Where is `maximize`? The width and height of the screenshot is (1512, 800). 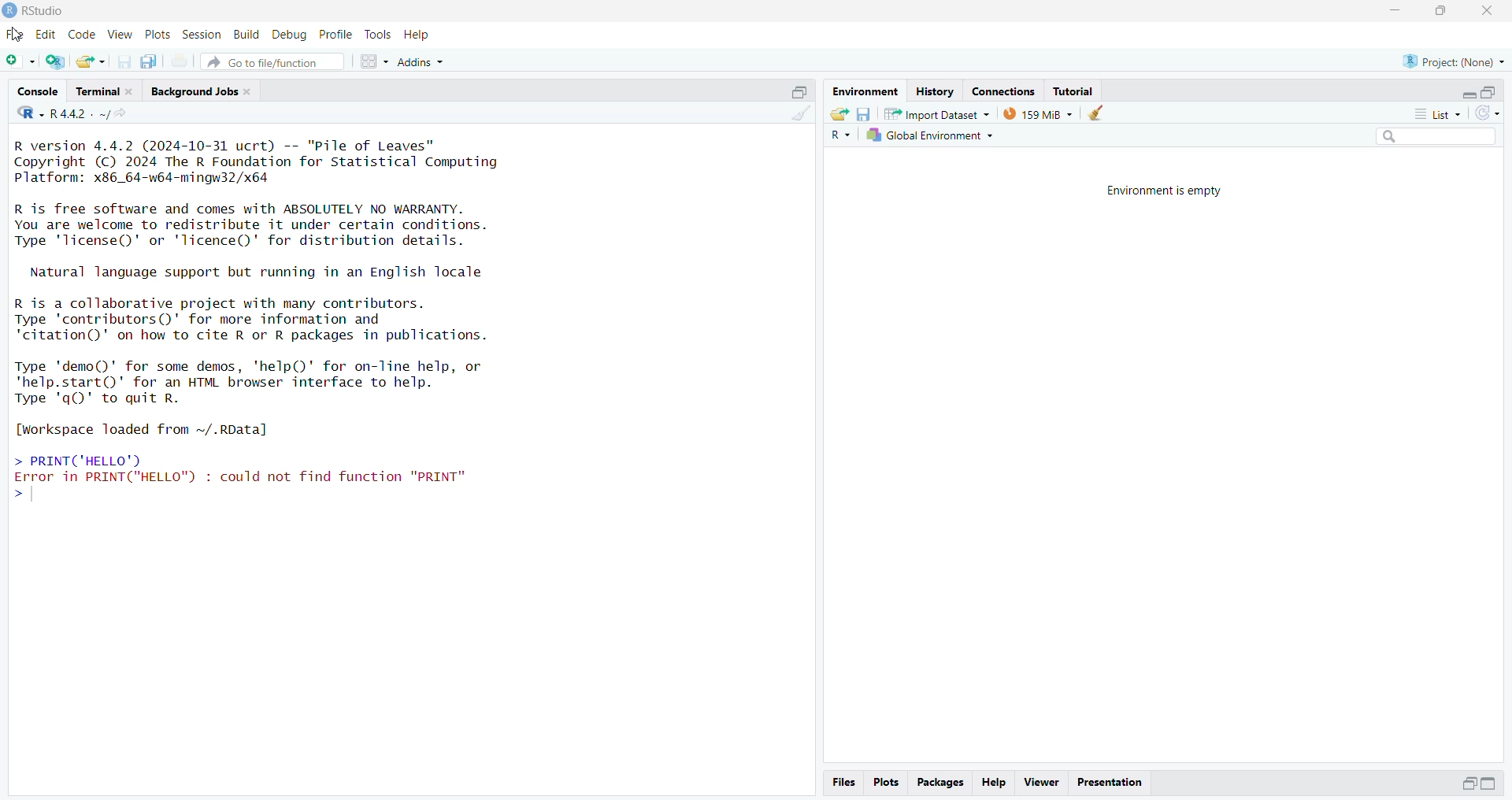
maximize is located at coordinates (1439, 12).